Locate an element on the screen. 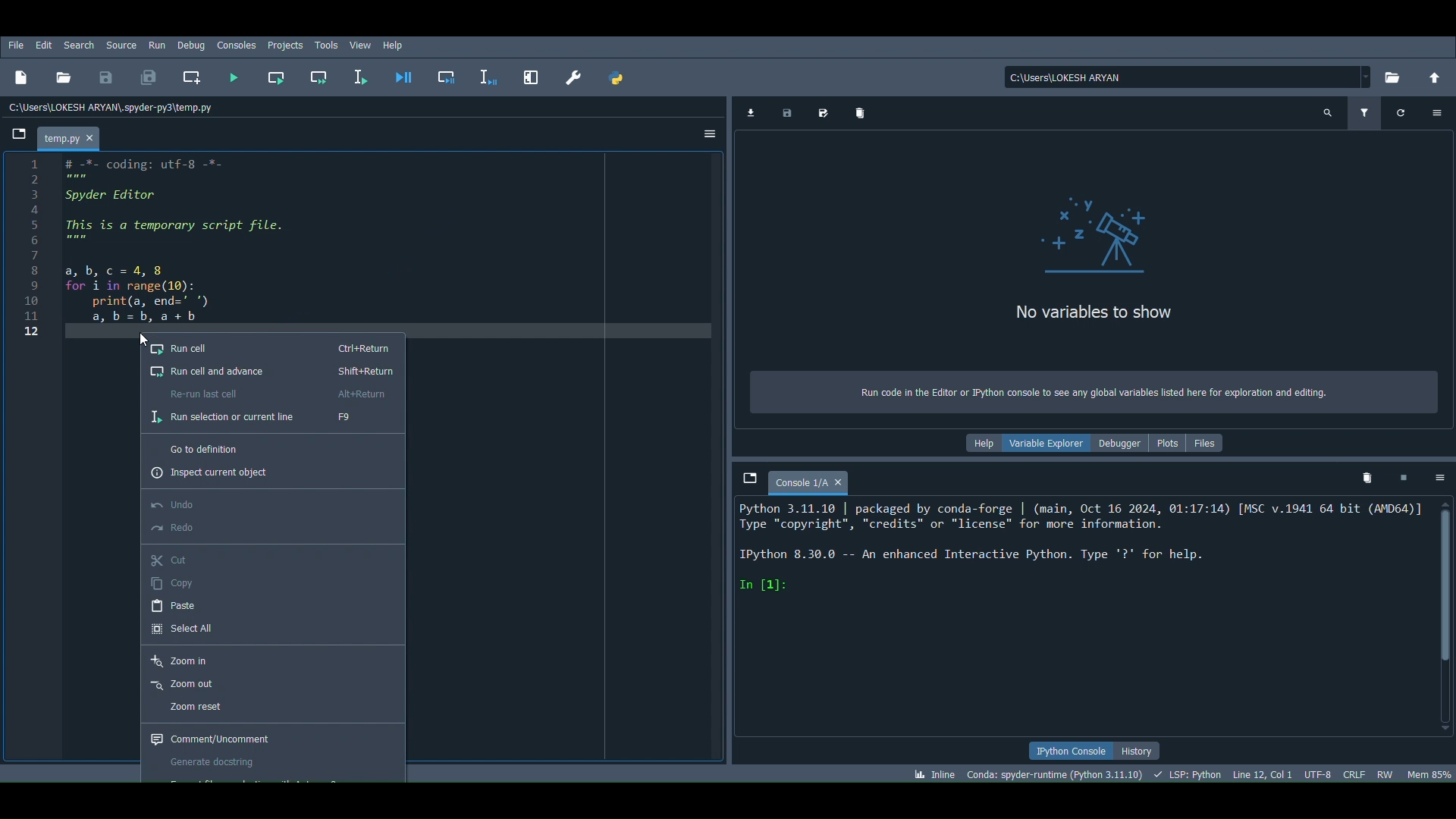 Image resolution: width=1456 pixels, height=819 pixels. Inspect current object is located at coordinates (256, 473).